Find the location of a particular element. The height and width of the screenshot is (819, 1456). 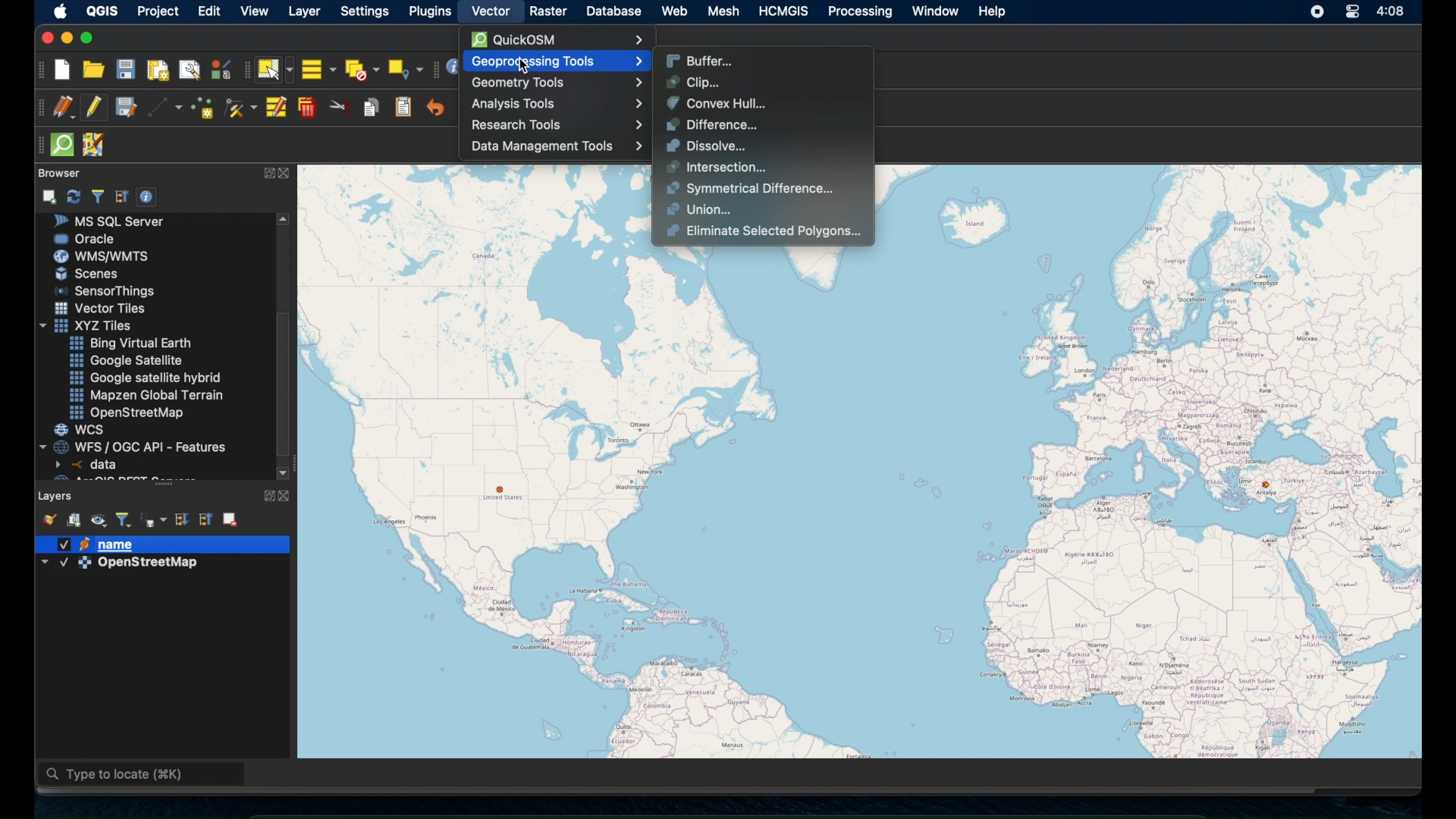

style manager is located at coordinates (220, 69).